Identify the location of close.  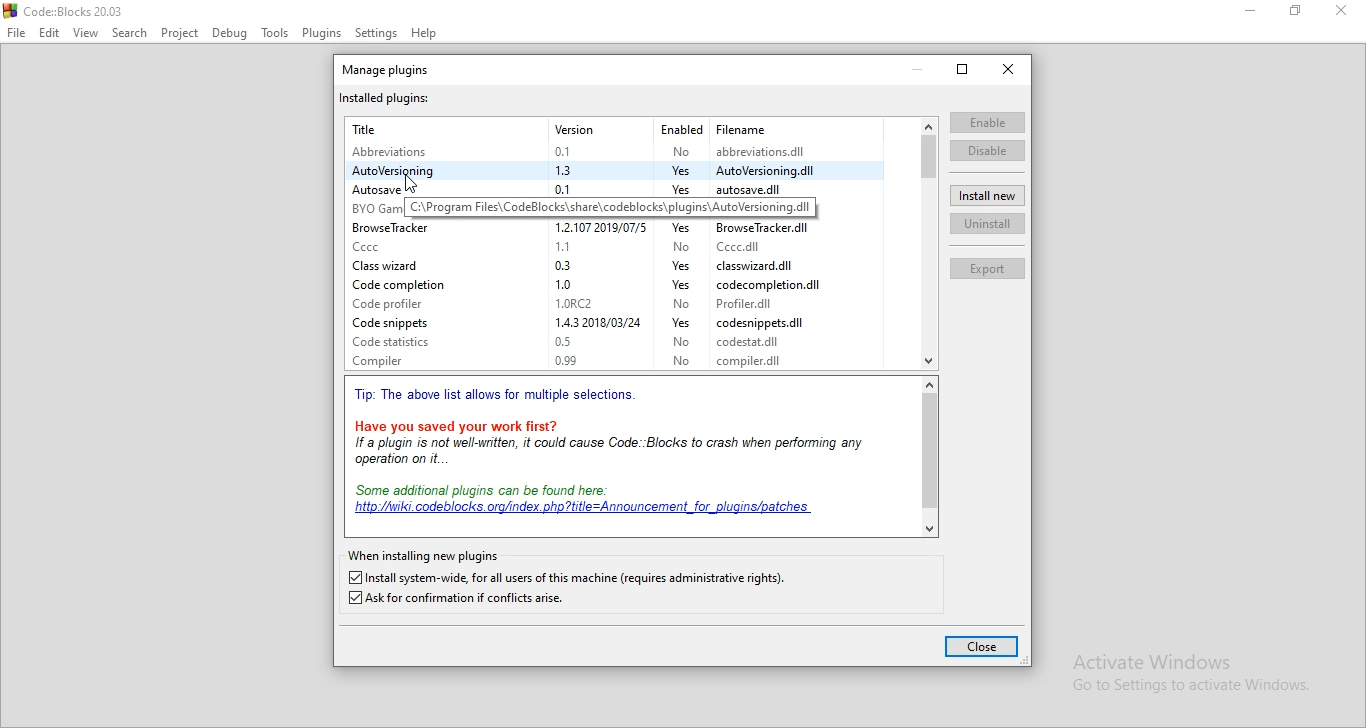
(1008, 69).